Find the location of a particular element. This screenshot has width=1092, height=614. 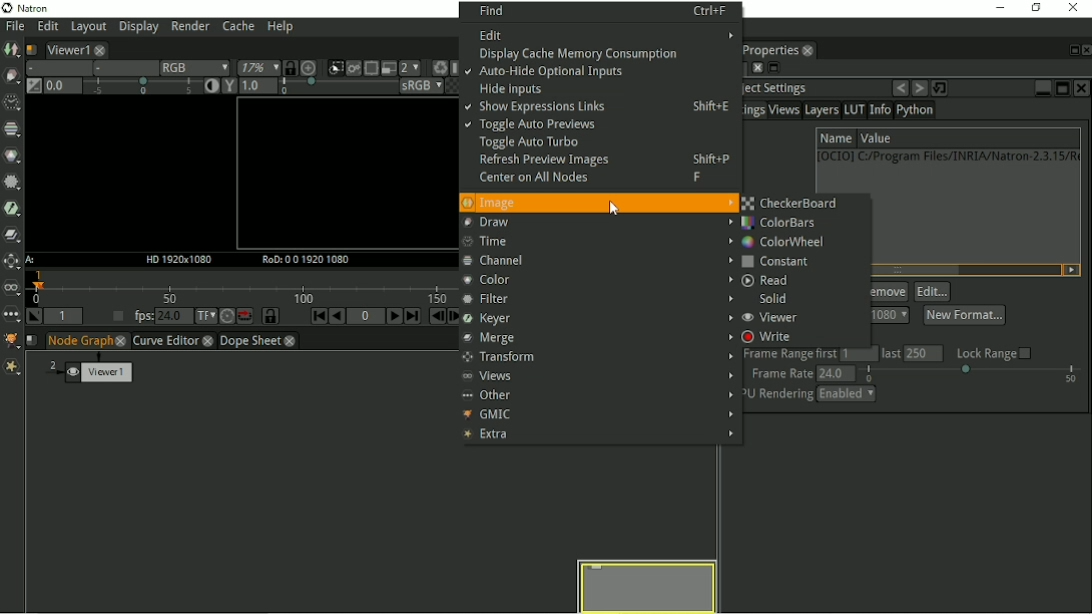

GPU Rendering is located at coordinates (812, 396).